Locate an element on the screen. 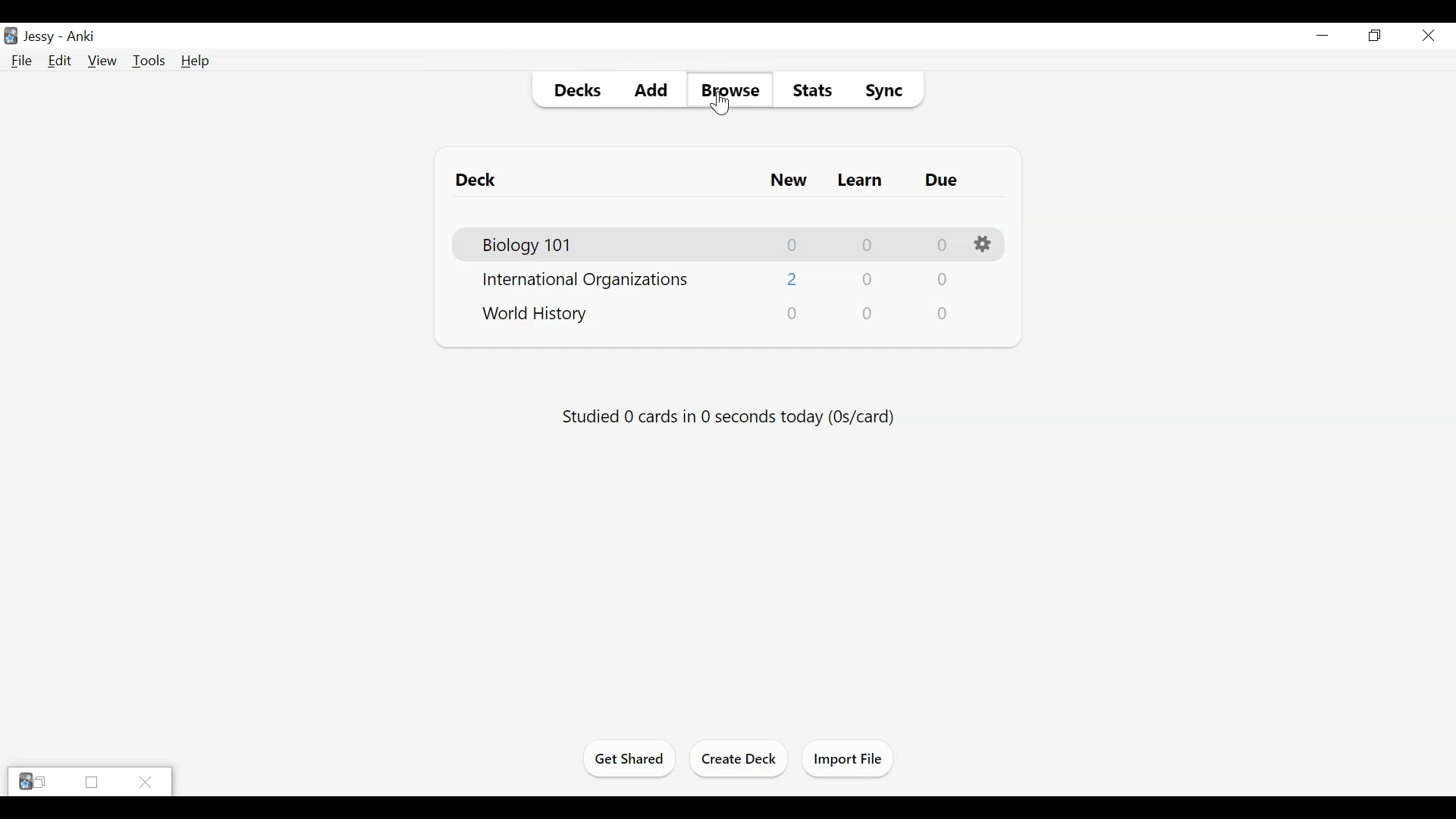 Image resolution: width=1456 pixels, height=819 pixels. minimize is located at coordinates (1323, 35).